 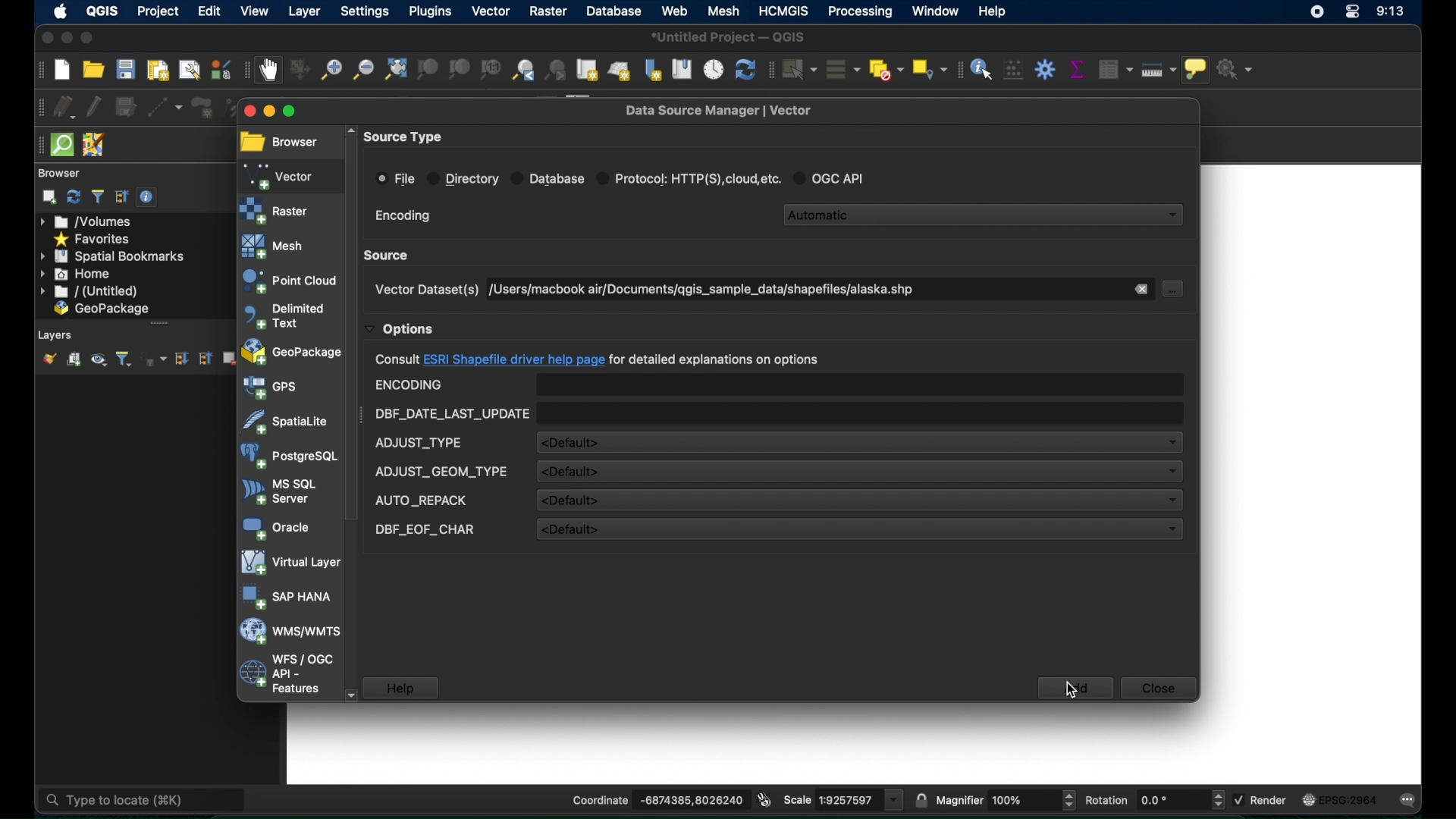 What do you see at coordinates (681, 68) in the screenshot?
I see `show spatial bookmarks` at bounding box center [681, 68].